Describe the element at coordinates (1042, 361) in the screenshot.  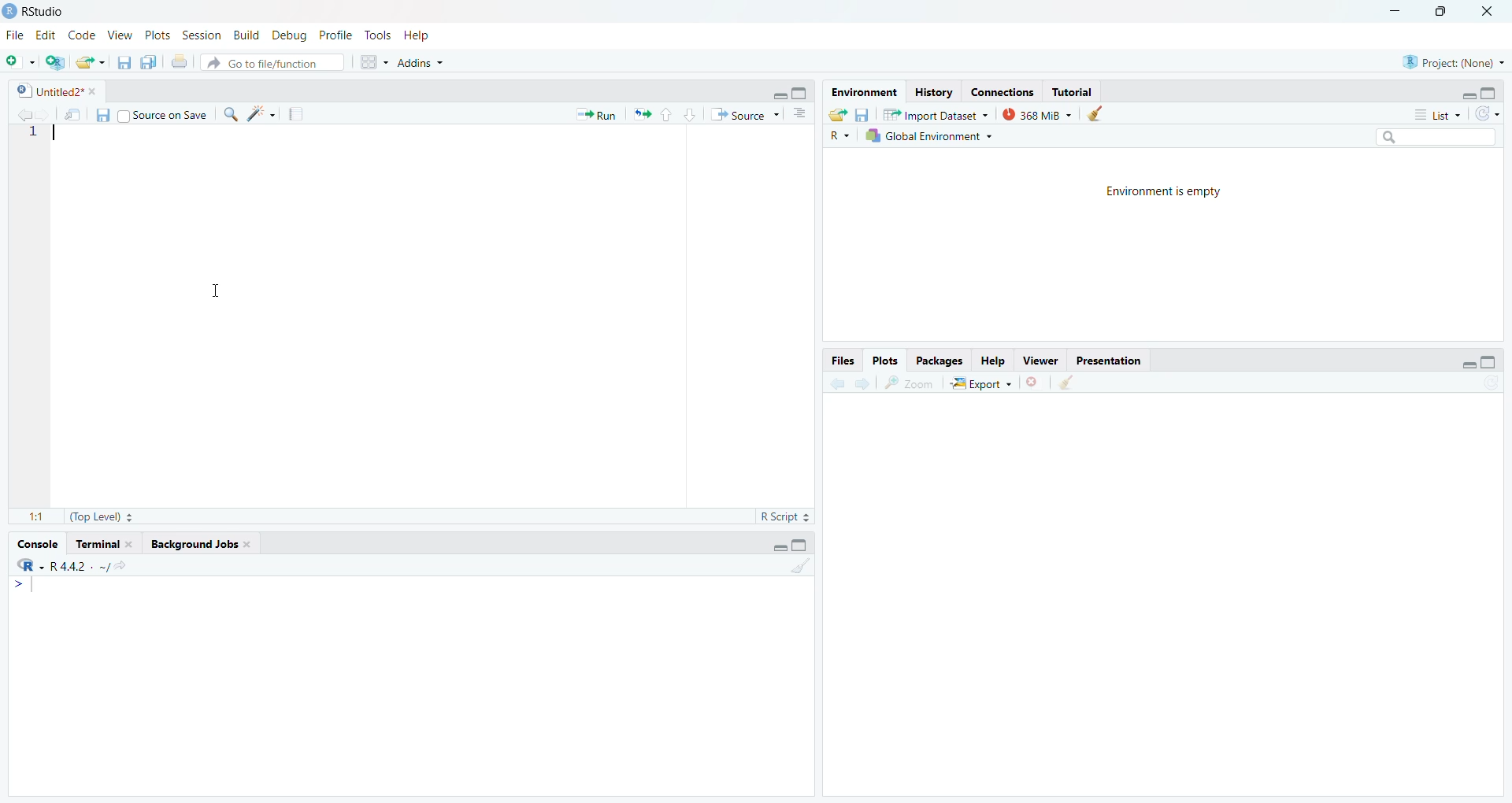
I see `viewer` at that location.